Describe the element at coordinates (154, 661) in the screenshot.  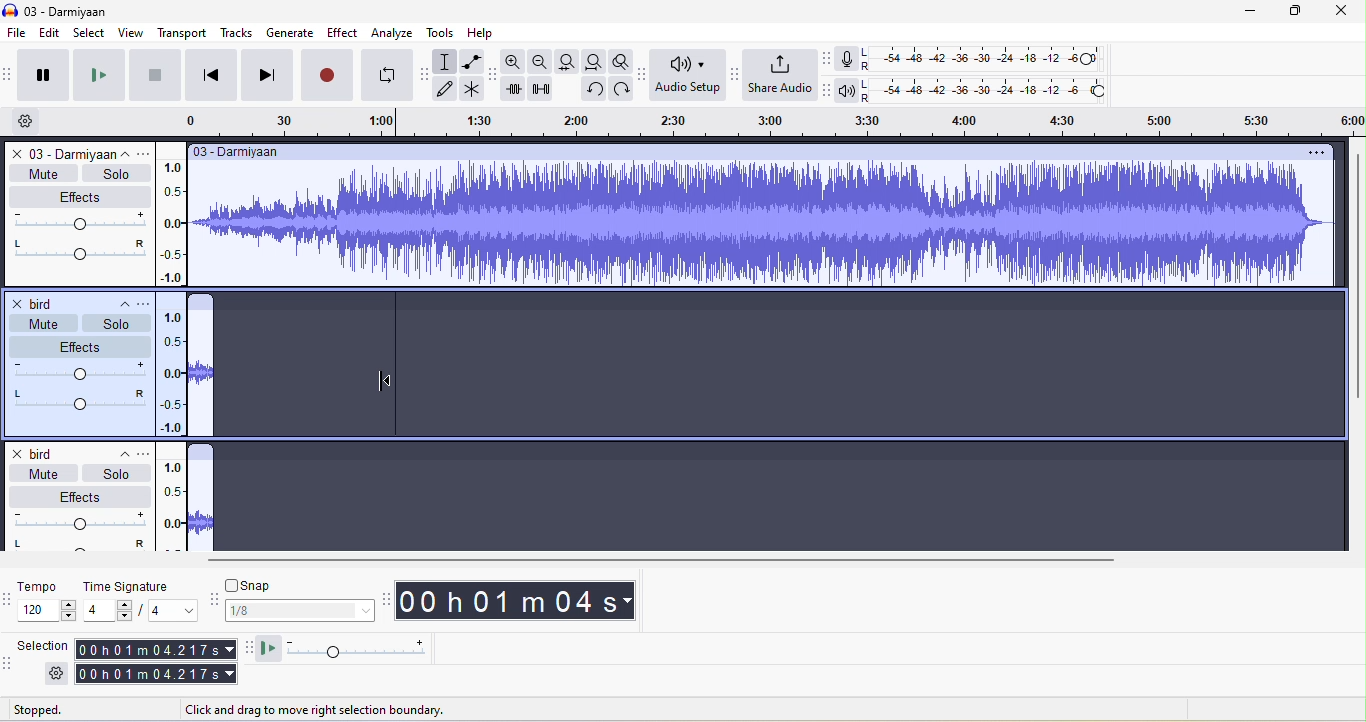
I see `00 h 01 m 04 217 s` at that location.